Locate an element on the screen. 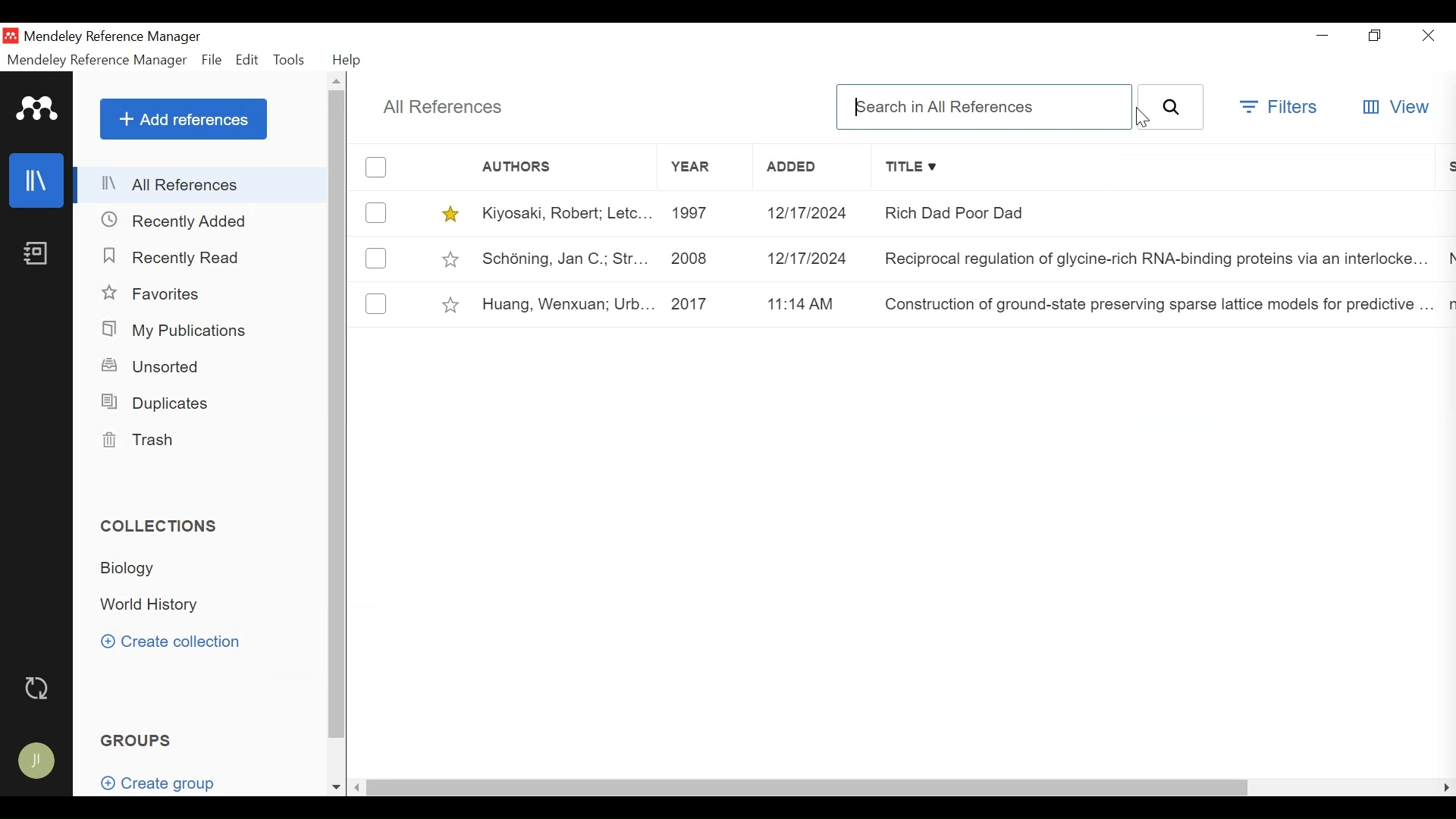 The width and height of the screenshot is (1456, 819). Reciprocal regulation of glycine-rich RNA-binding proteins via interlocked.. is located at coordinates (1156, 256).